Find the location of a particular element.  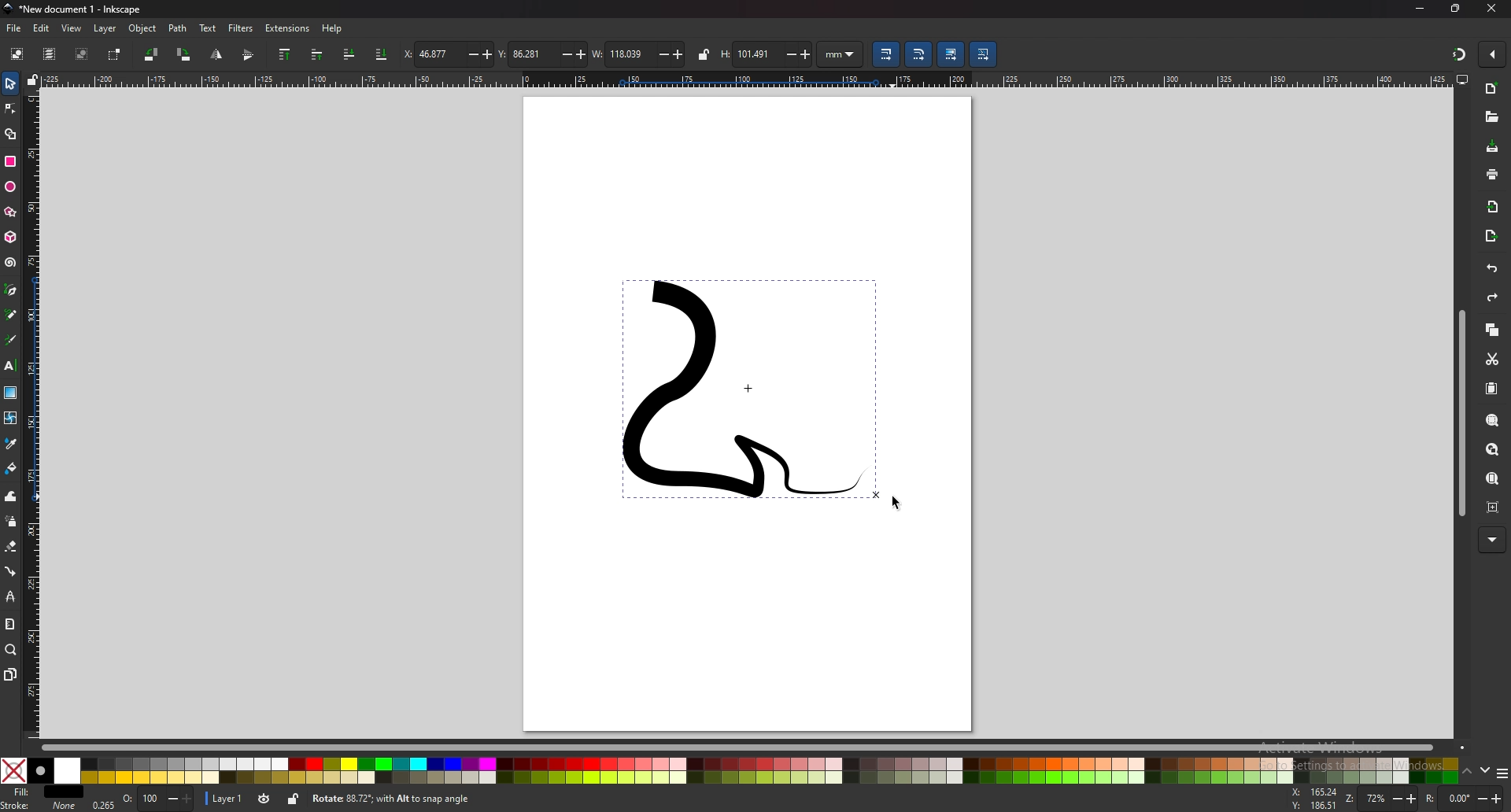

move patterns is located at coordinates (983, 54).